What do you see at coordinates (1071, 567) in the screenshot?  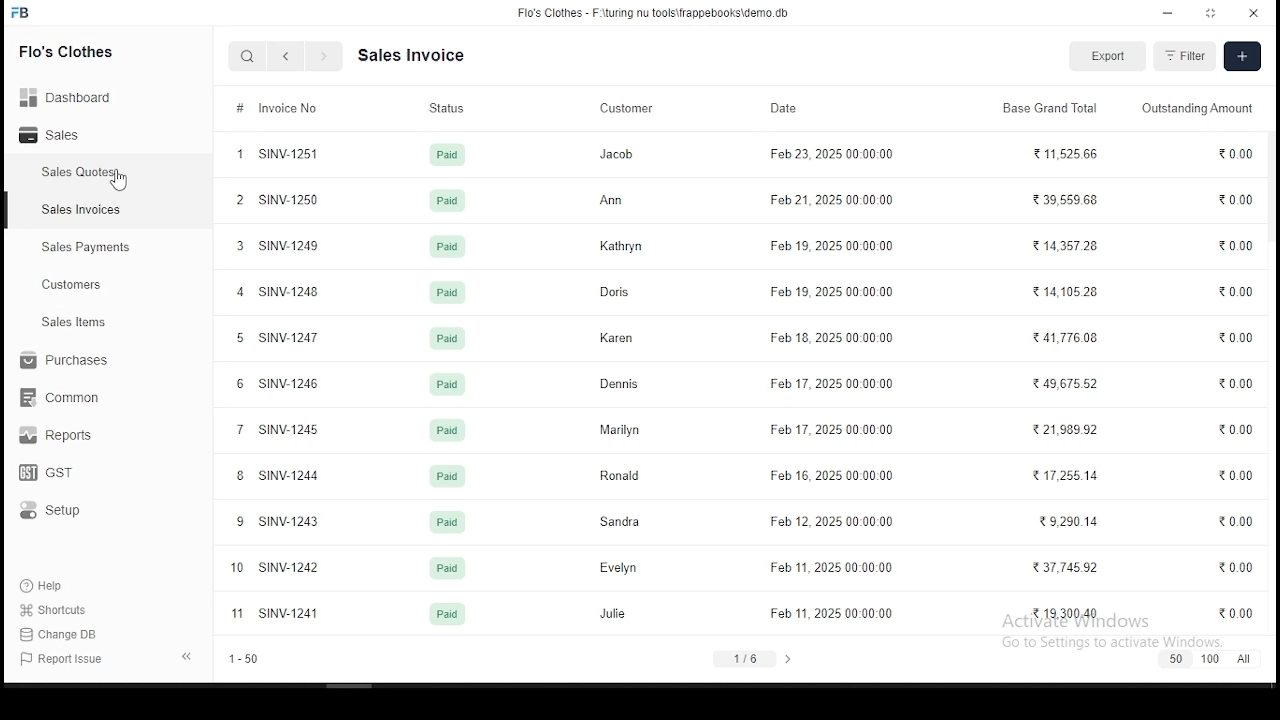 I see `37.74592` at bounding box center [1071, 567].